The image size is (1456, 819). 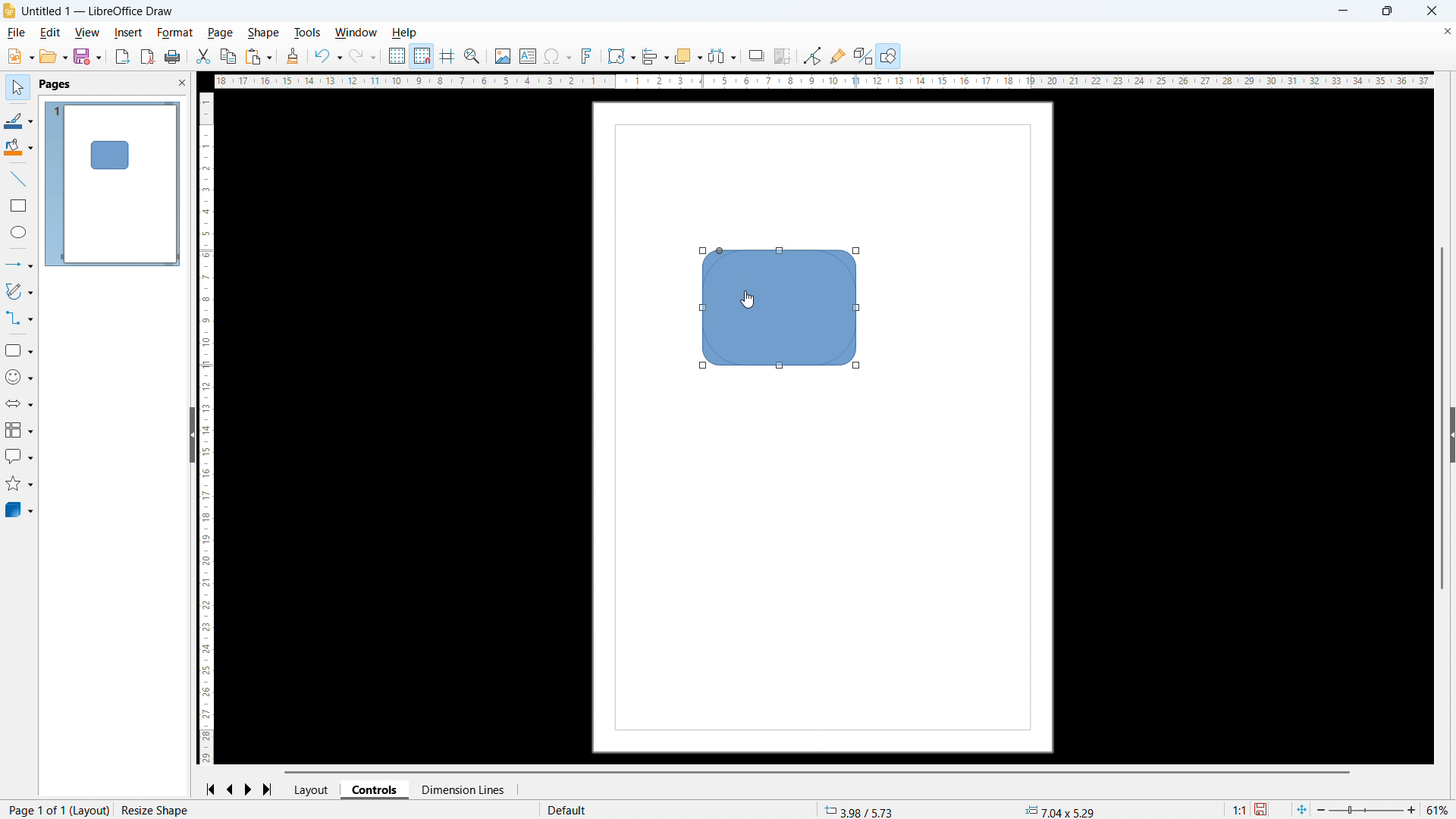 What do you see at coordinates (87, 57) in the screenshot?
I see `save ` at bounding box center [87, 57].